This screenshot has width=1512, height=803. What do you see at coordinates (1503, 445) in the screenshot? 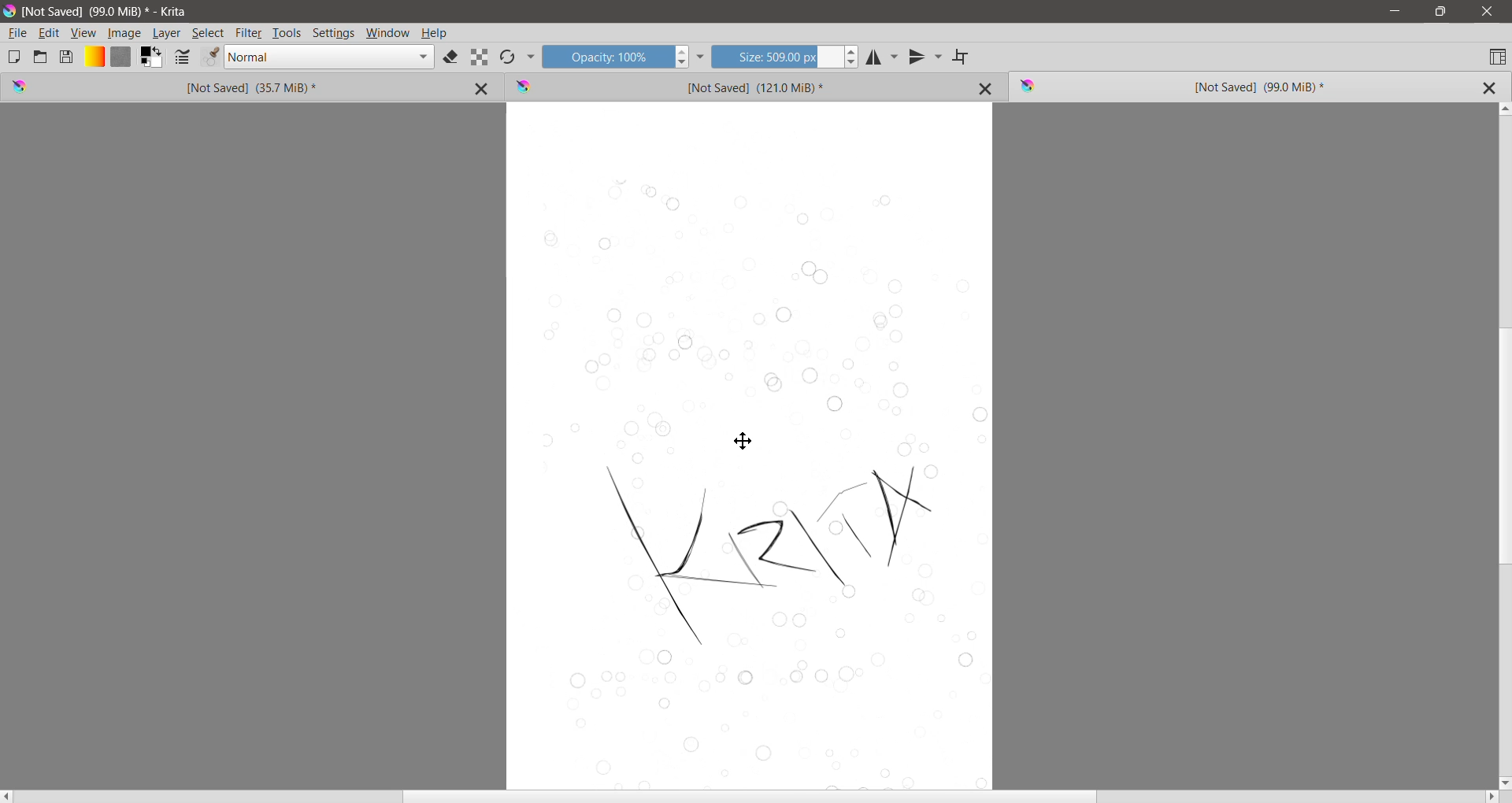
I see `Vertical Scroll Bar` at bounding box center [1503, 445].